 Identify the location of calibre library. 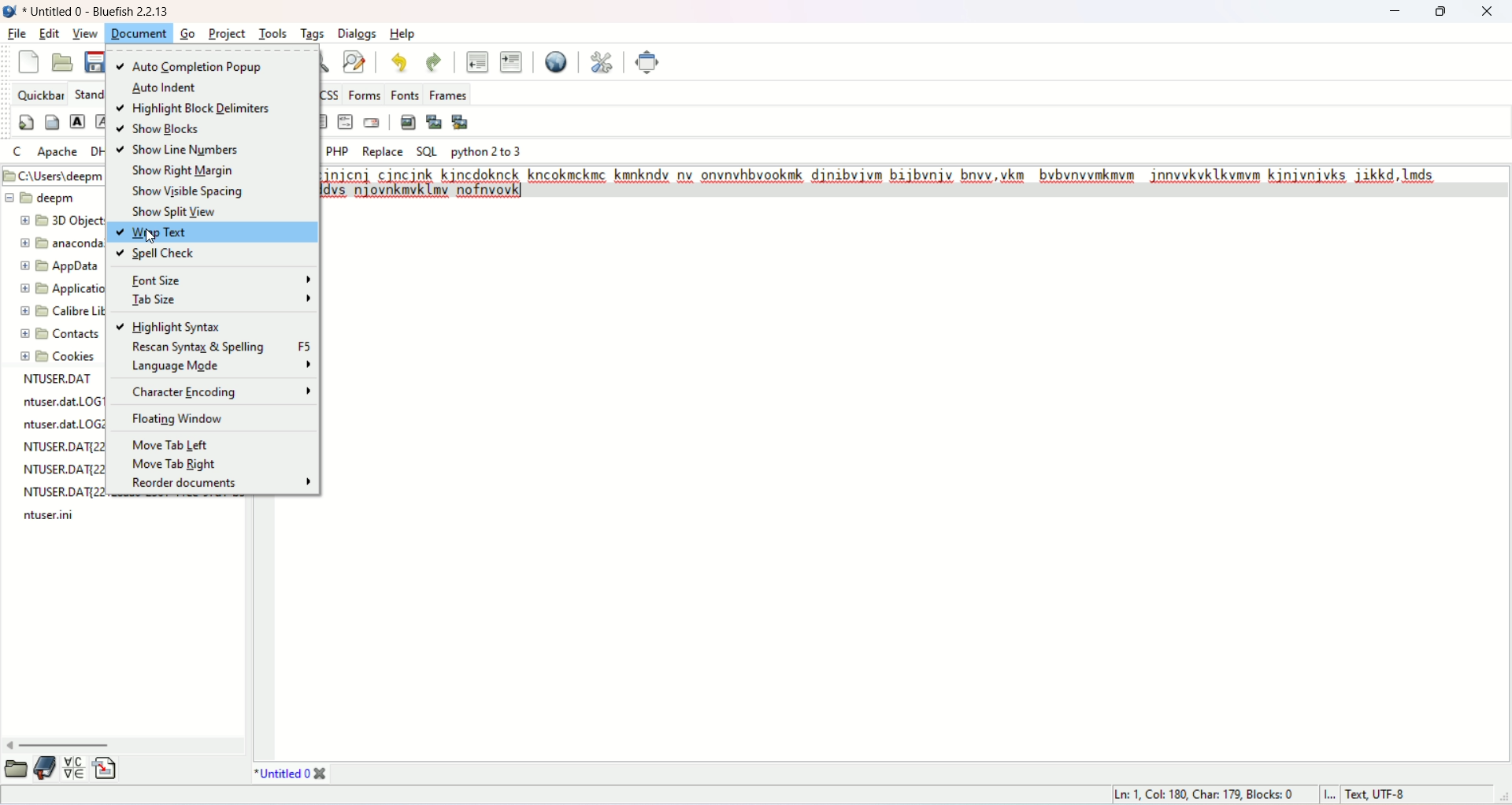
(57, 313).